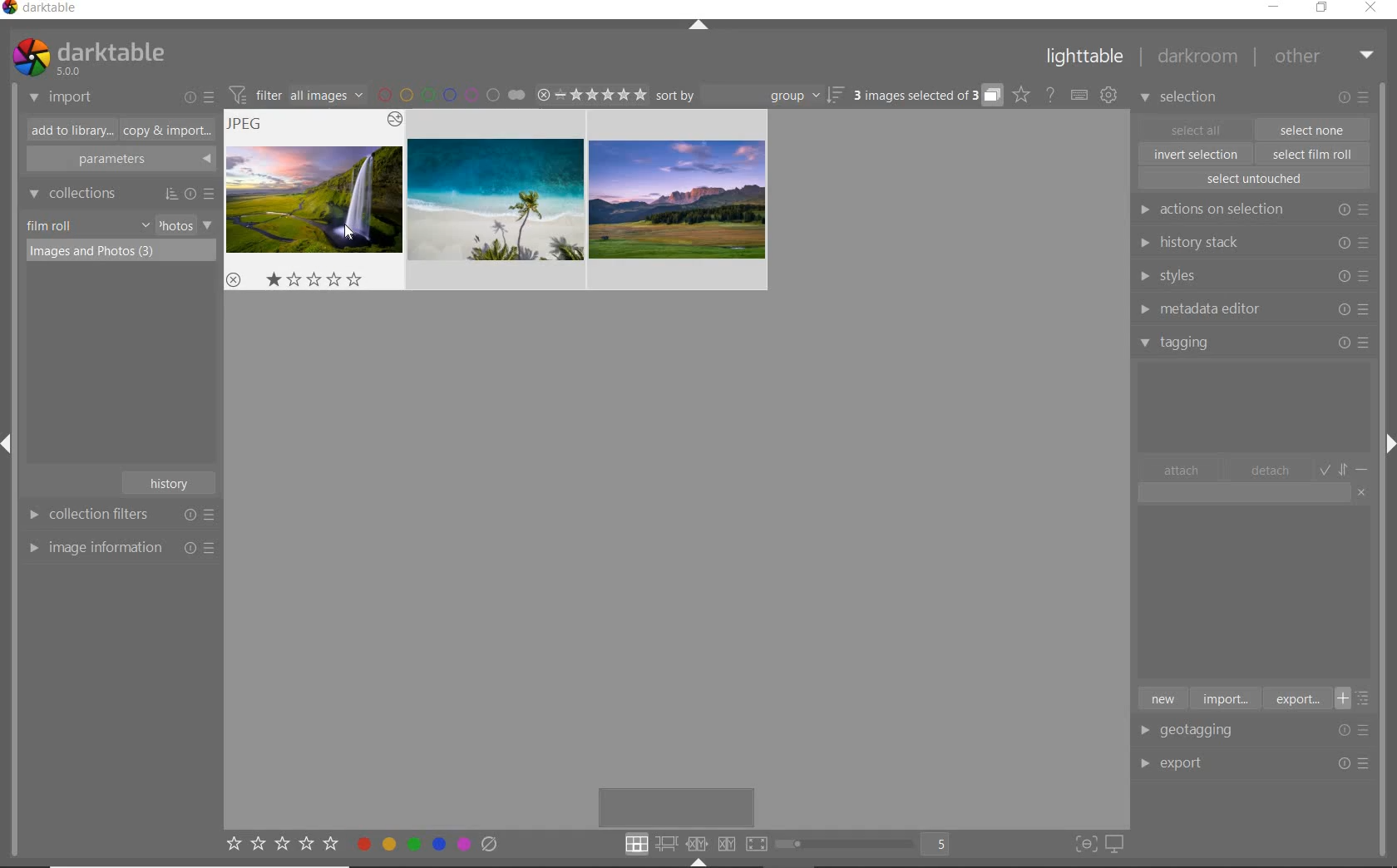 The height and width of the screenshot is (868, 1397). Describe the element at coordinates (1355, 764) in the screenshot. I see `Options` at that location.